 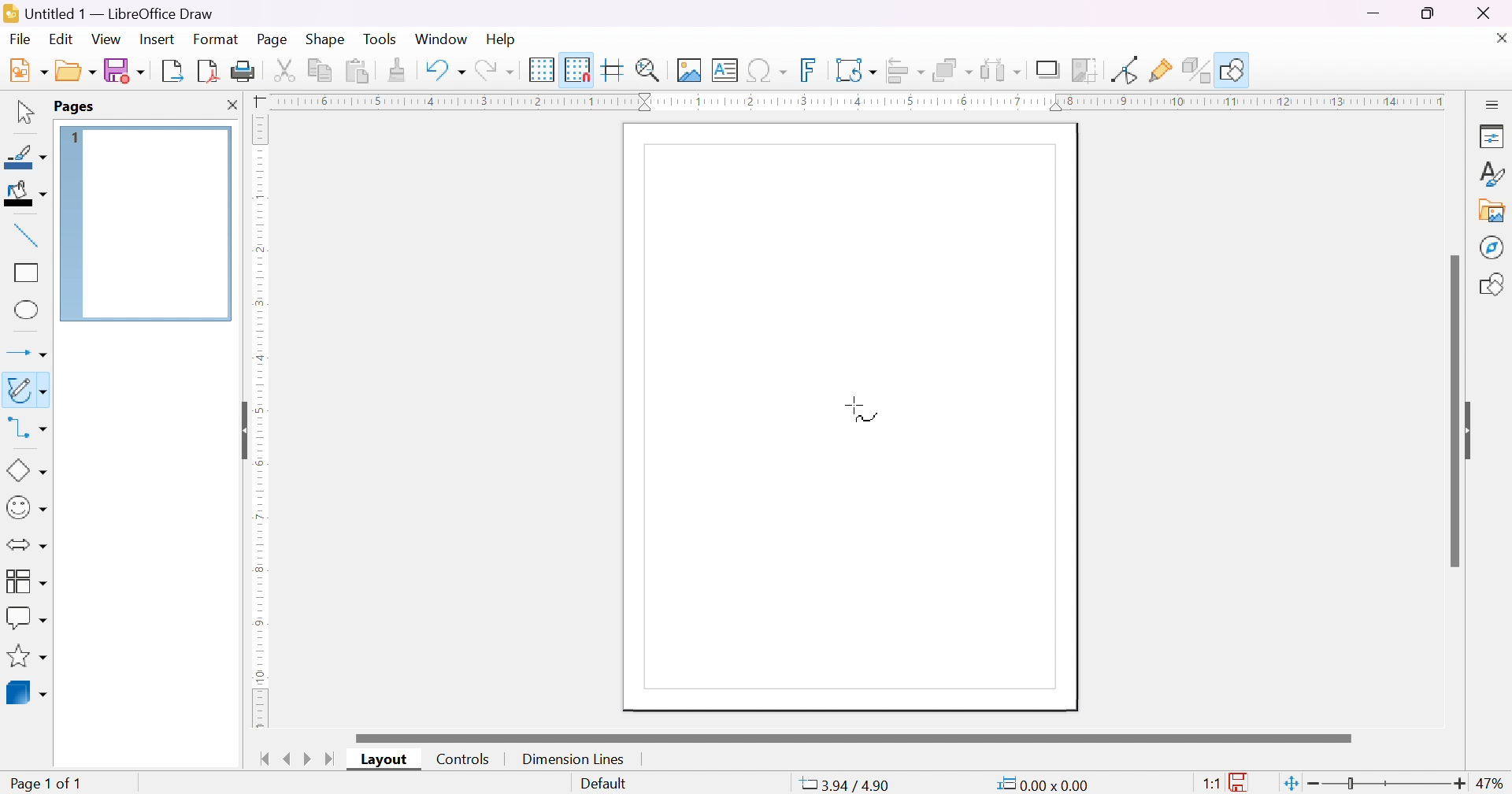 I want to click on show draw function, so click(x=1232, y=70).